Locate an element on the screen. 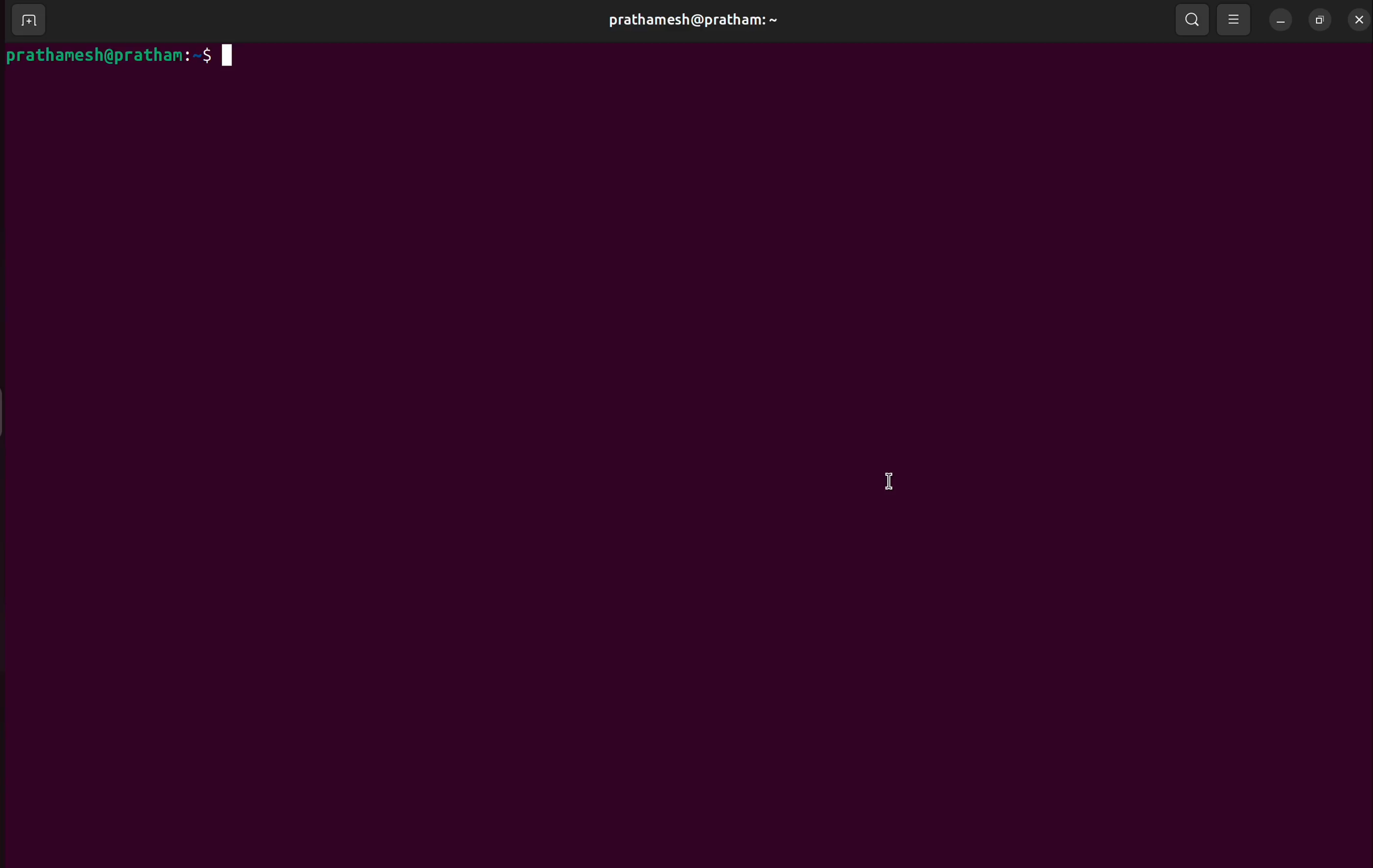 The height and width of the screenshot is (868, 1373). prathmesh@pratham:~ is located at coordinates (692, 20).